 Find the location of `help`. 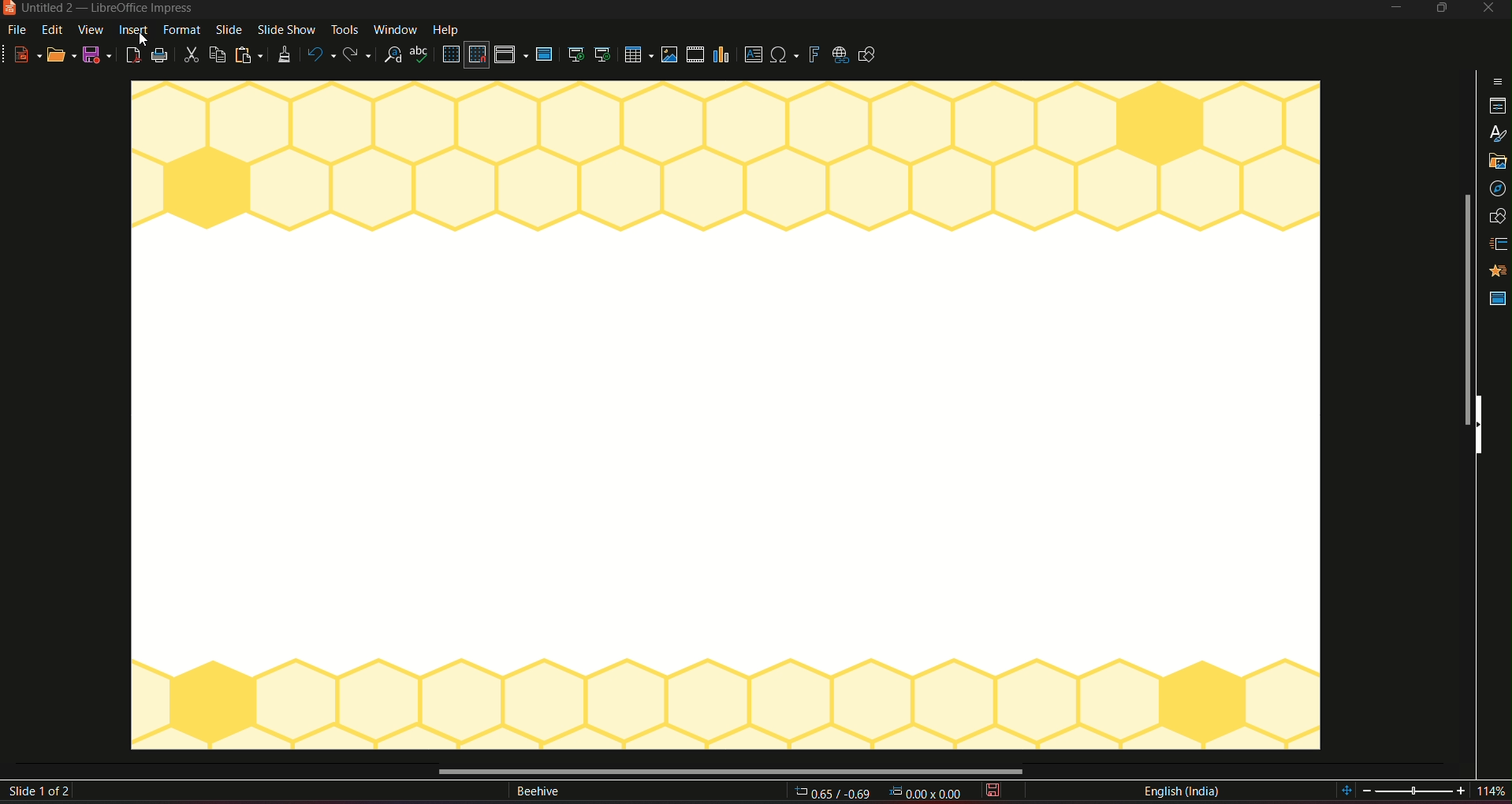

help is located at coordinates (448, 28).